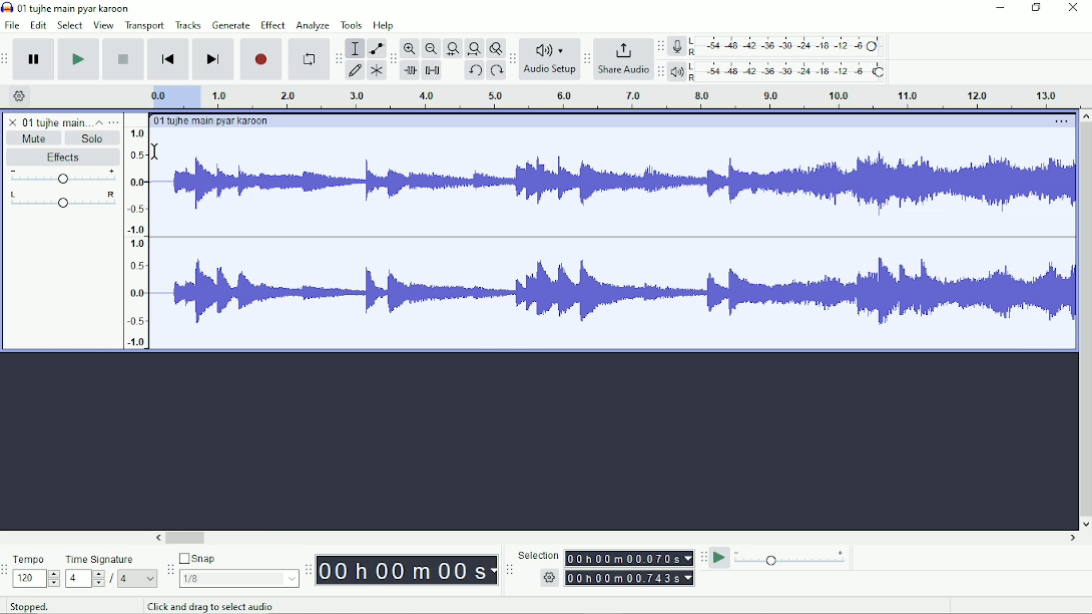  Describe the element at coordinates (43, 604) in the screenshot. I see `Stopped` at that location.